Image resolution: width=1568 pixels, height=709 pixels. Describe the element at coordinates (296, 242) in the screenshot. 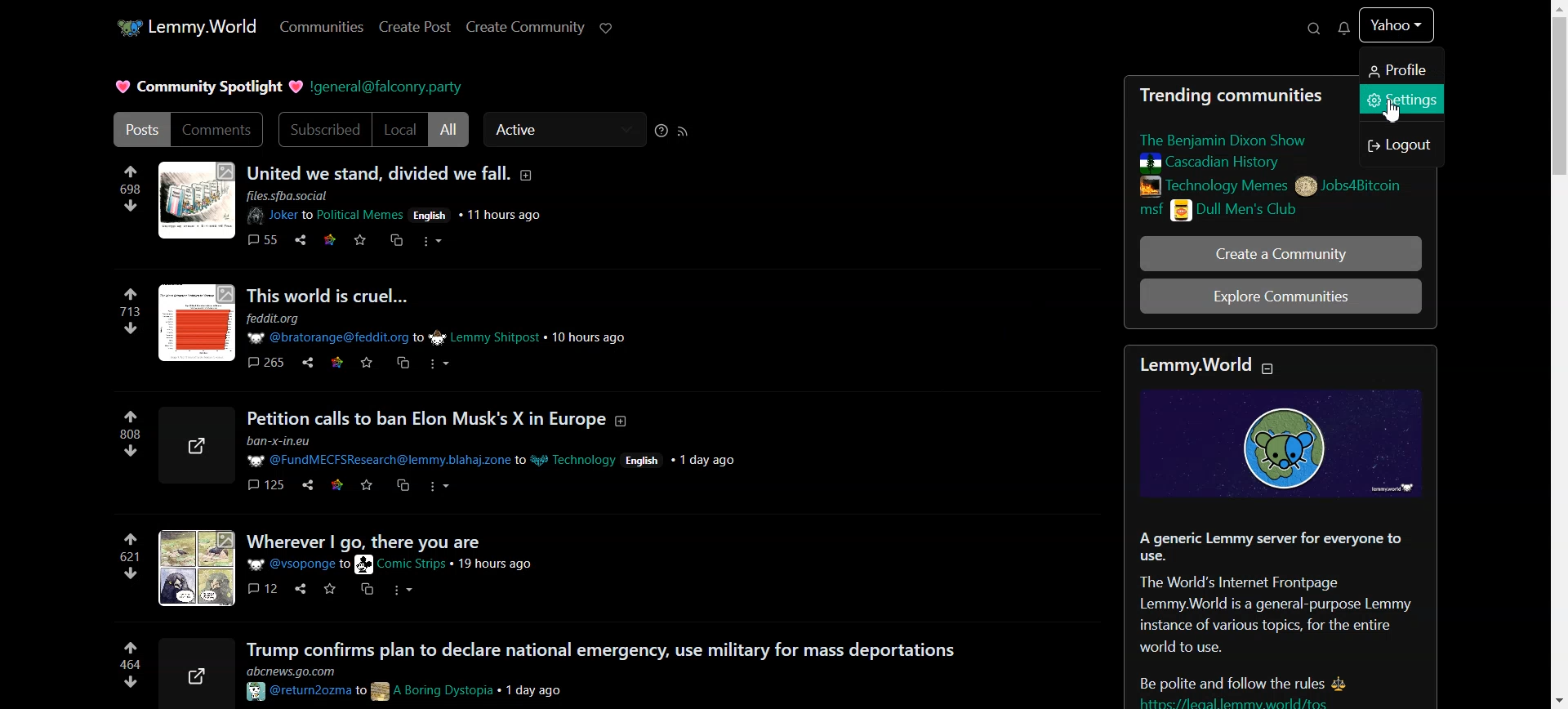

I see `share` at that location.